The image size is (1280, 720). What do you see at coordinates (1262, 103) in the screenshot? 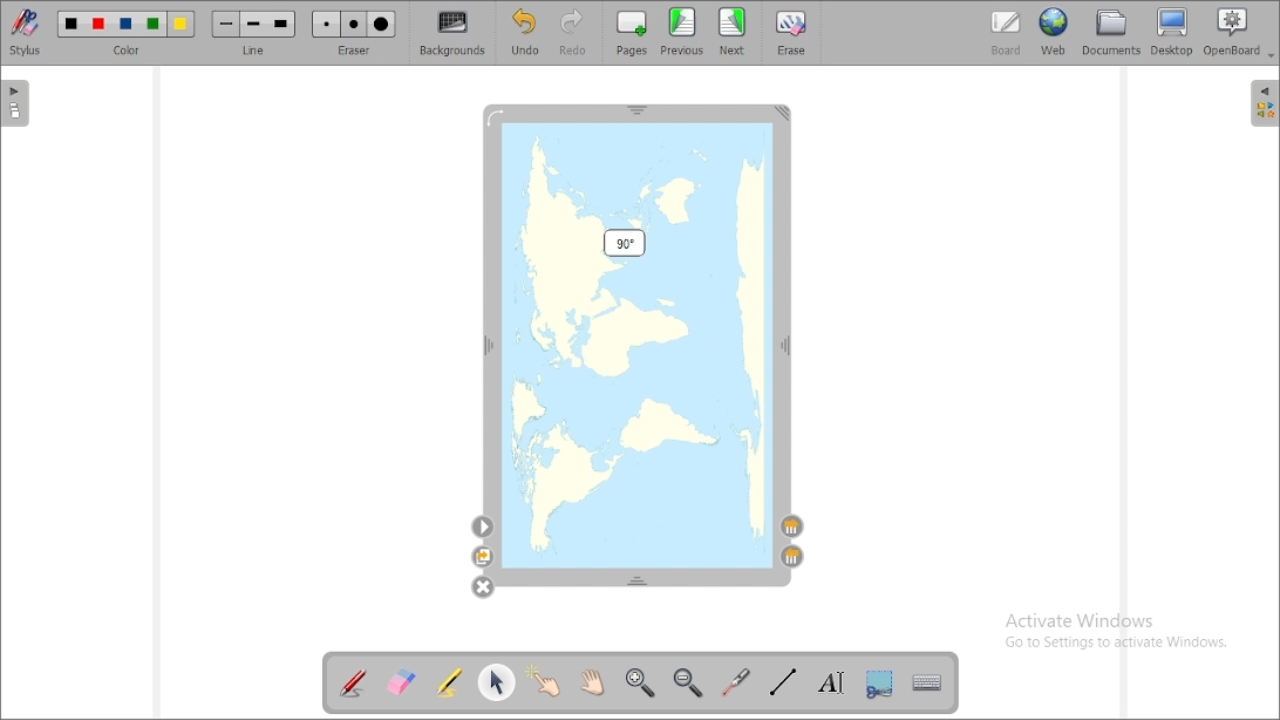
I see `sidebar settings` at bounding box center [1262, 103].